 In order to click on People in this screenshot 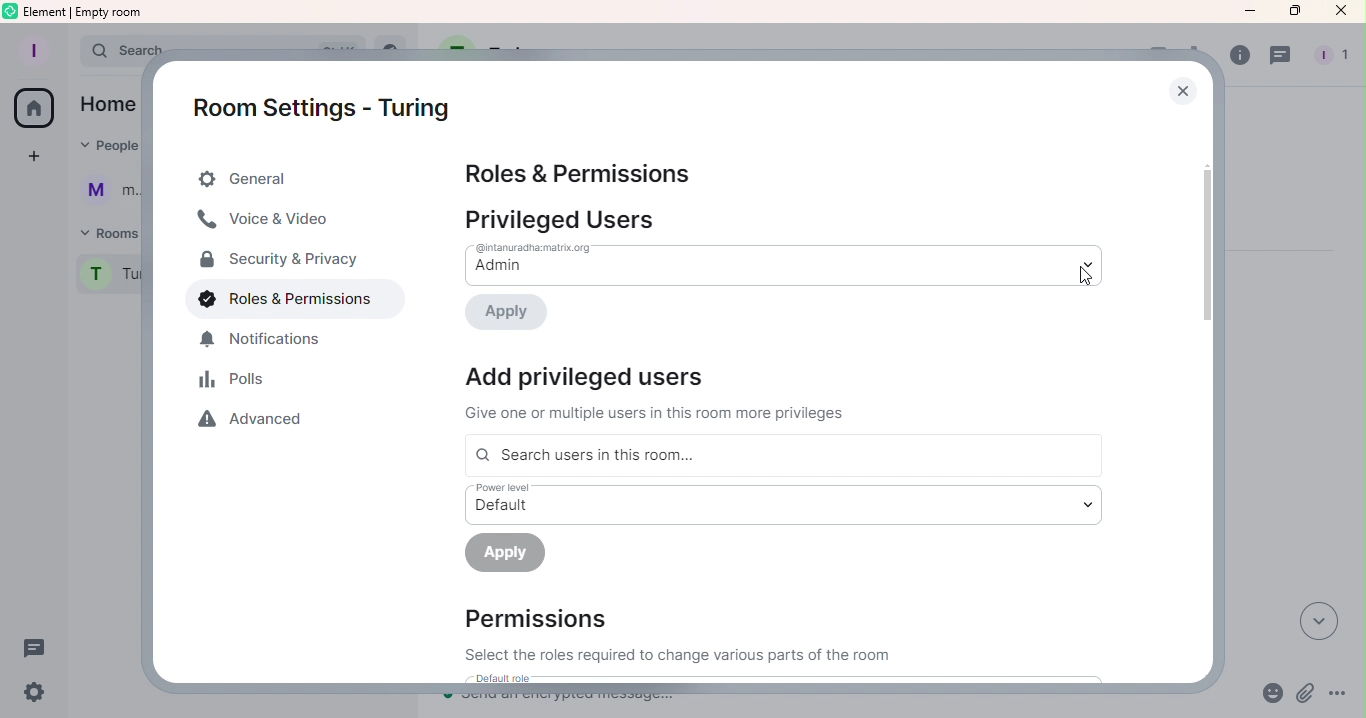, I will do `click(110, 147)`.